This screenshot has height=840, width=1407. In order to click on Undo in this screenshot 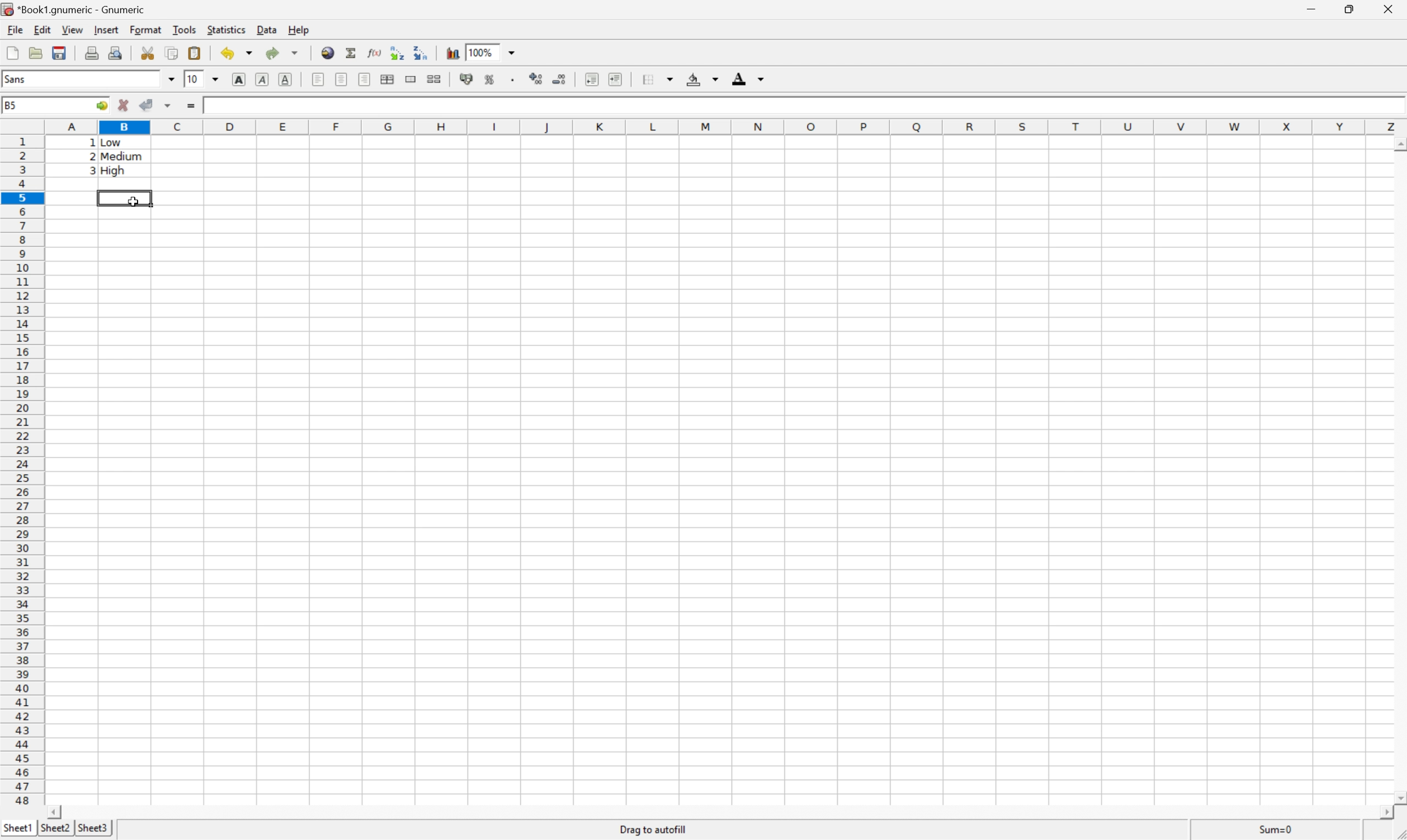, I will do `click(232, 53)`.